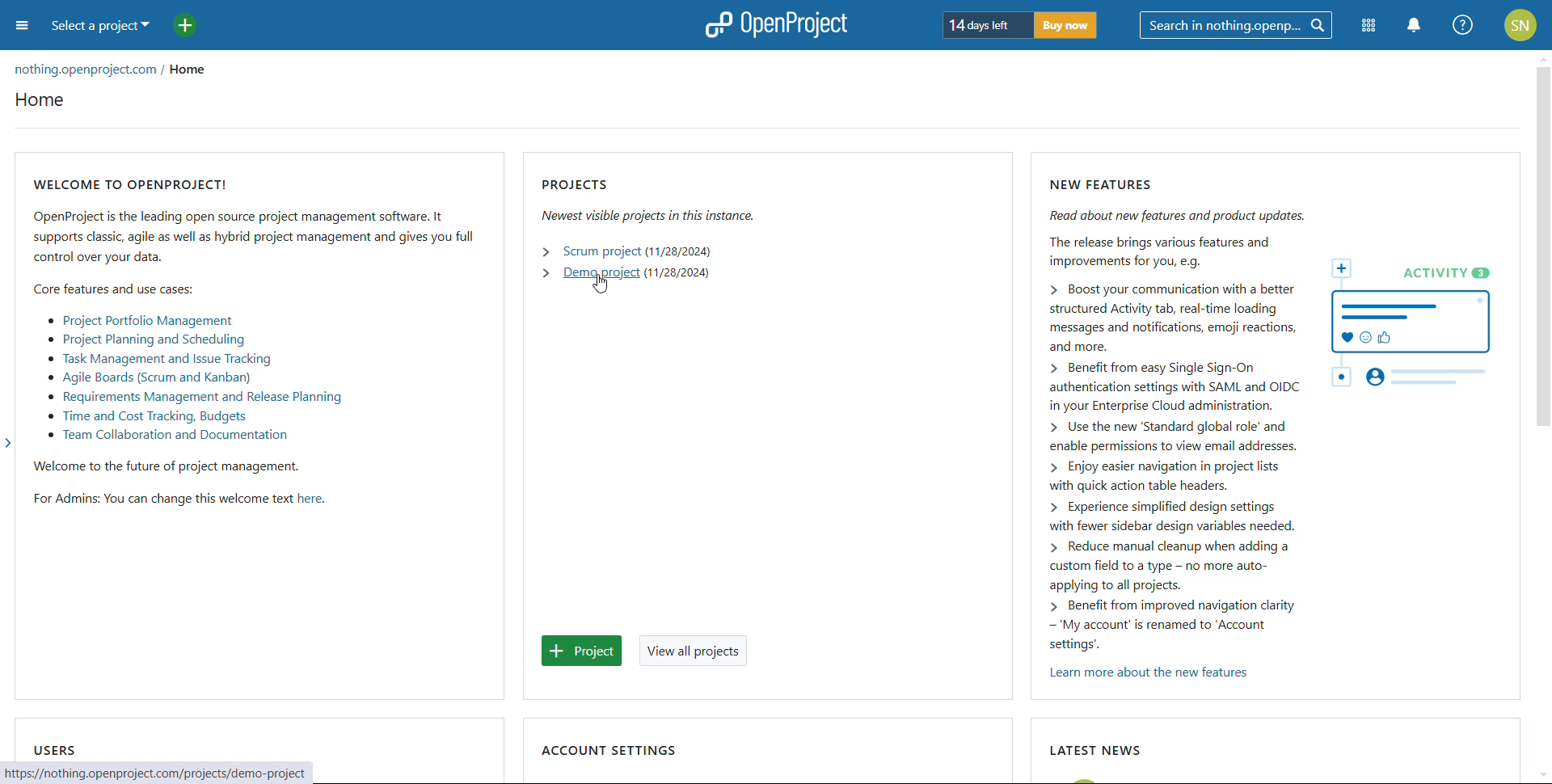  Describe the element at coordinates (168, 436) in the screenshot. I see `team collaboration & documentation` at that location.